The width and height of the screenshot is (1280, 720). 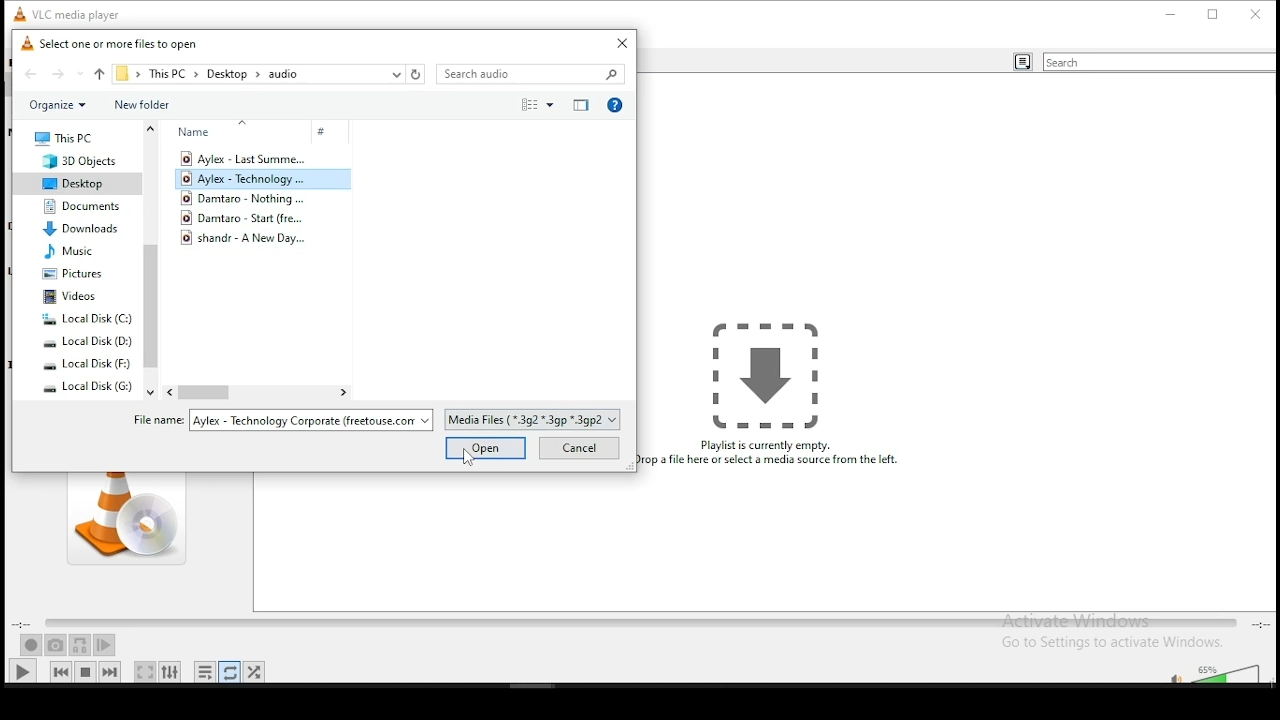 I want to click on system drive 2, so click(x=88, y=342).